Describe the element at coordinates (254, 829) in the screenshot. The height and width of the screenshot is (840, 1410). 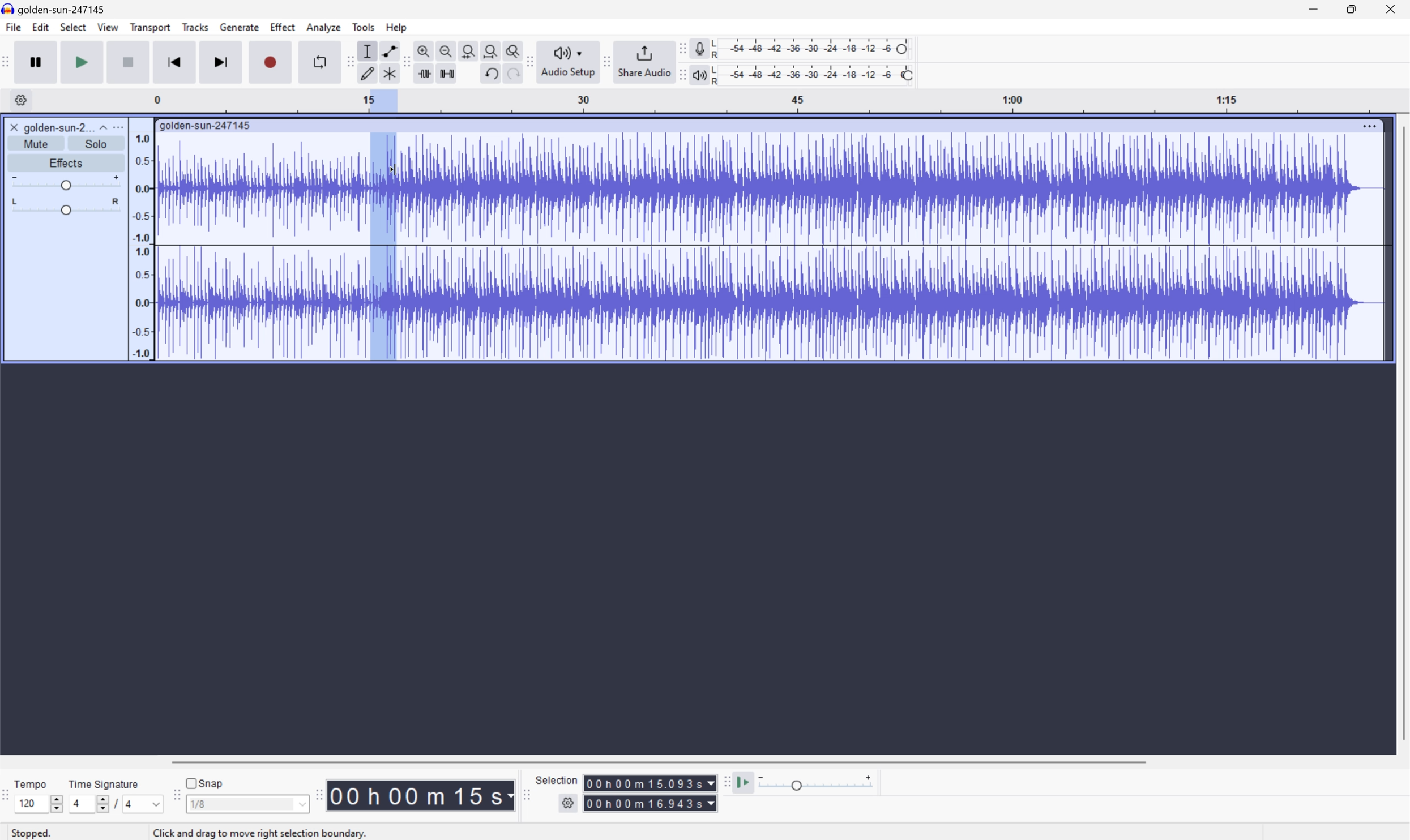
I see `Click and drag to select audio` at that location.